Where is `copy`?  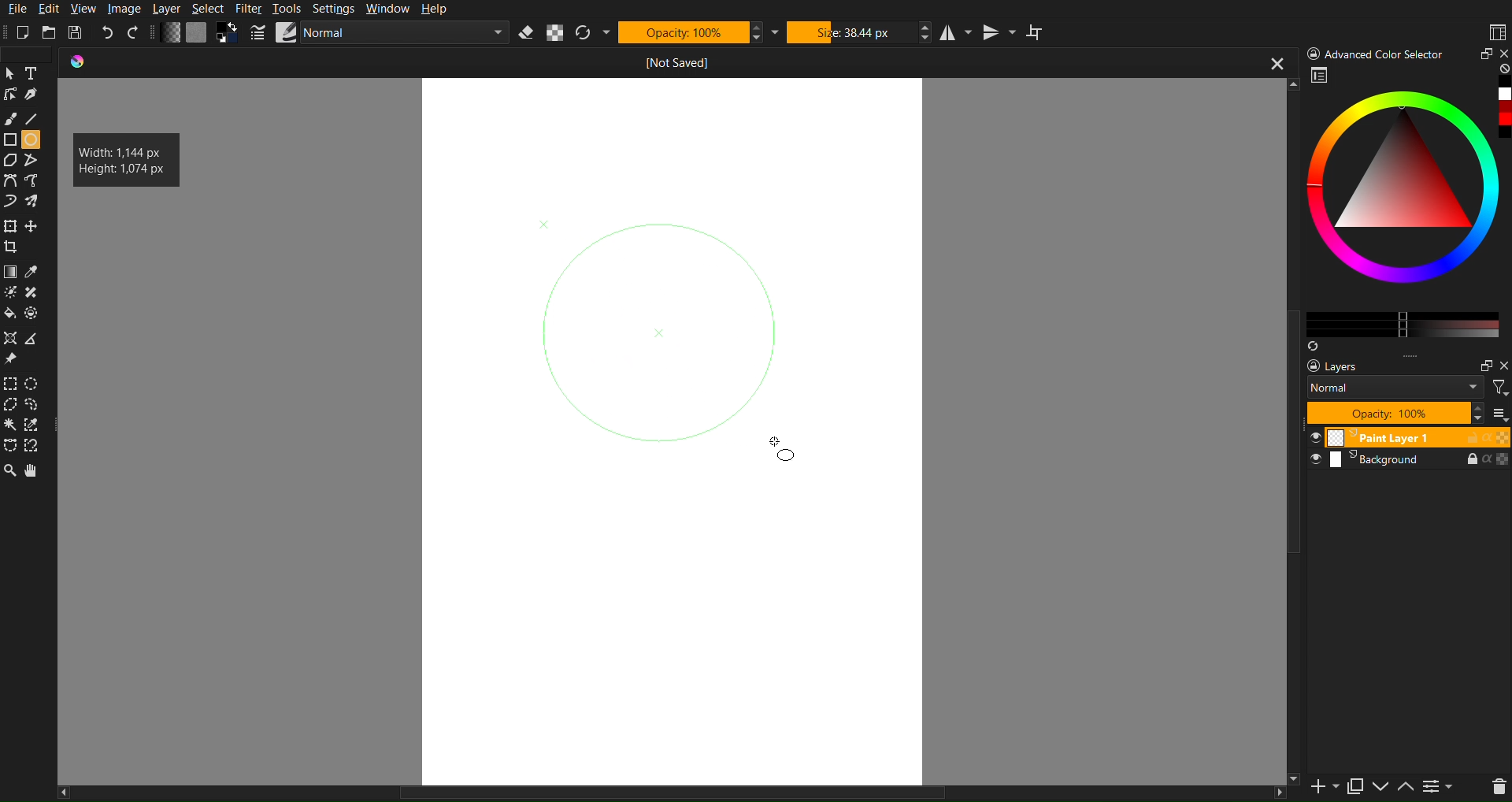 copy is located at coordinates (1352, 788).